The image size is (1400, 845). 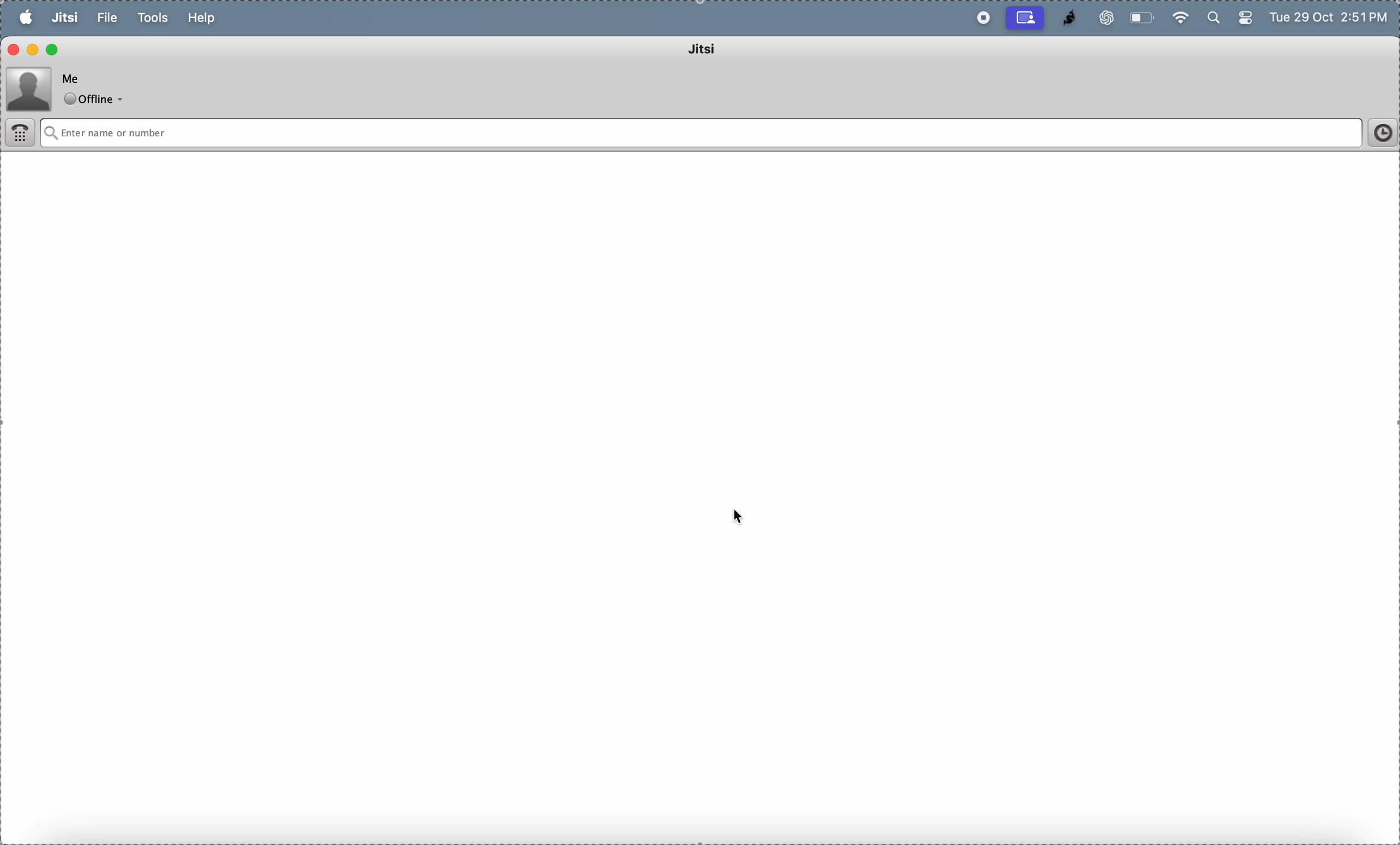 I want to click on close window, so click(x=14, y=51).